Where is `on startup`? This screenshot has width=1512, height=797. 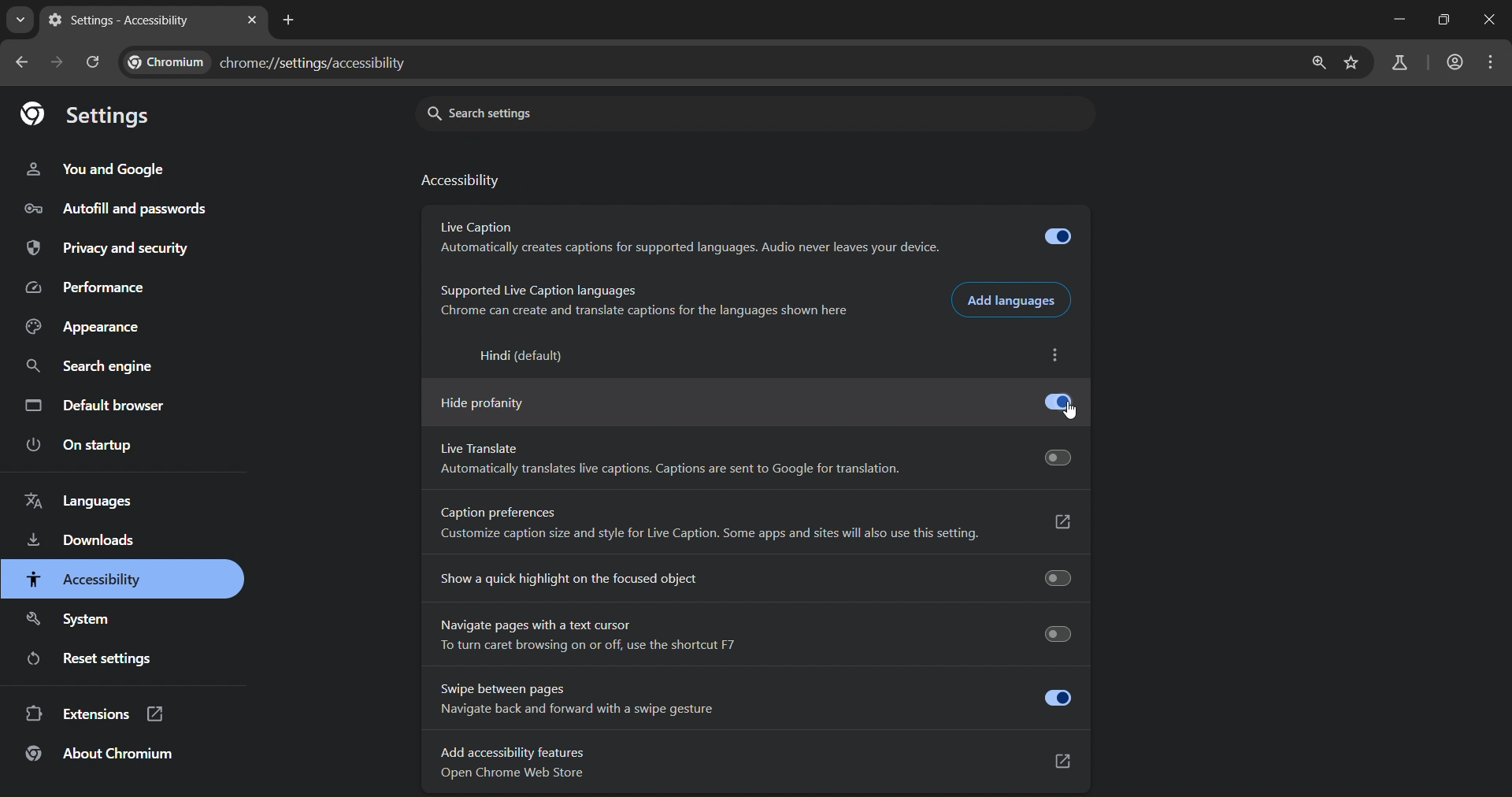 on startup is located at coordinates (80, 446).